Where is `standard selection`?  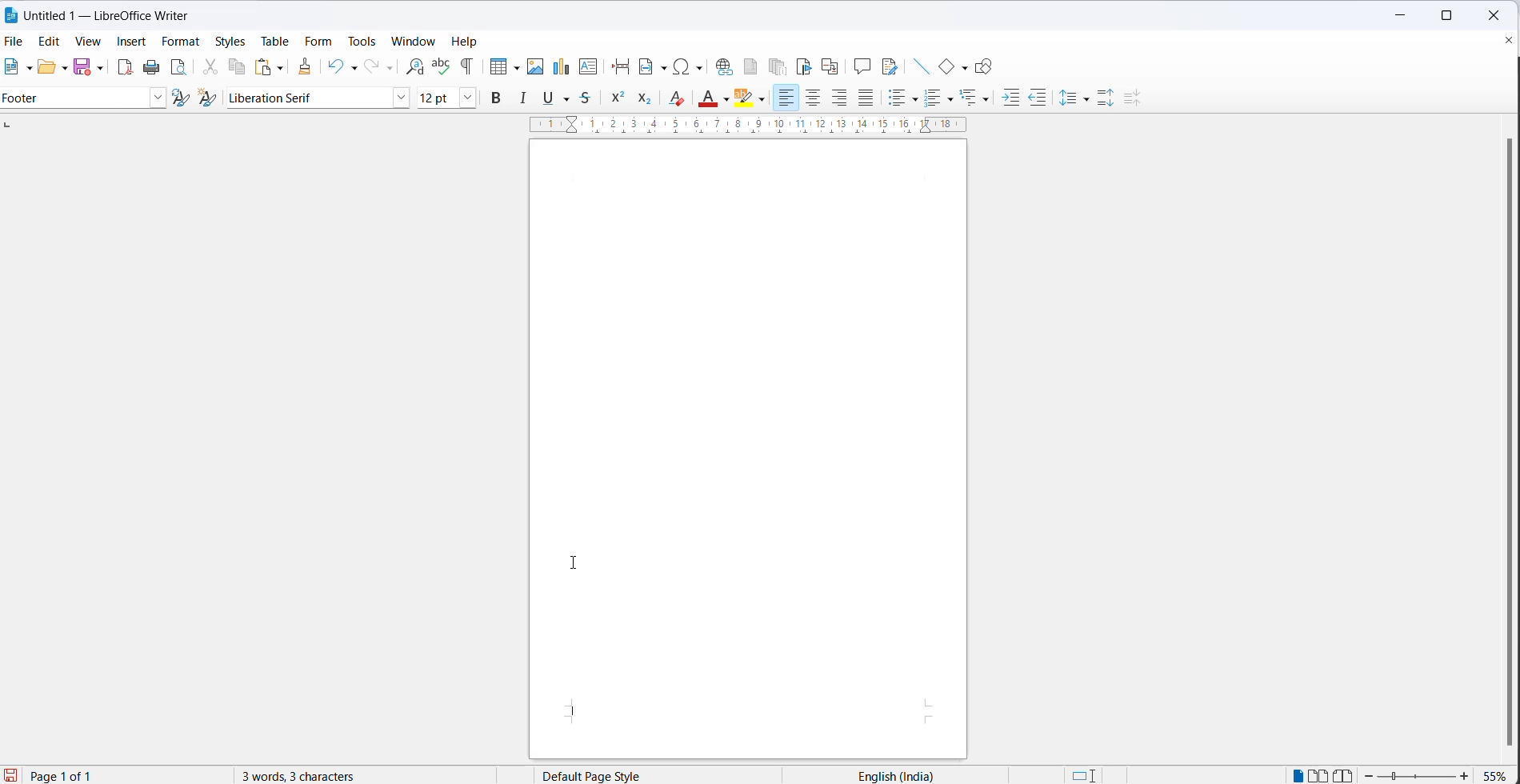 standard selection is located at coordinates (1087, 775).